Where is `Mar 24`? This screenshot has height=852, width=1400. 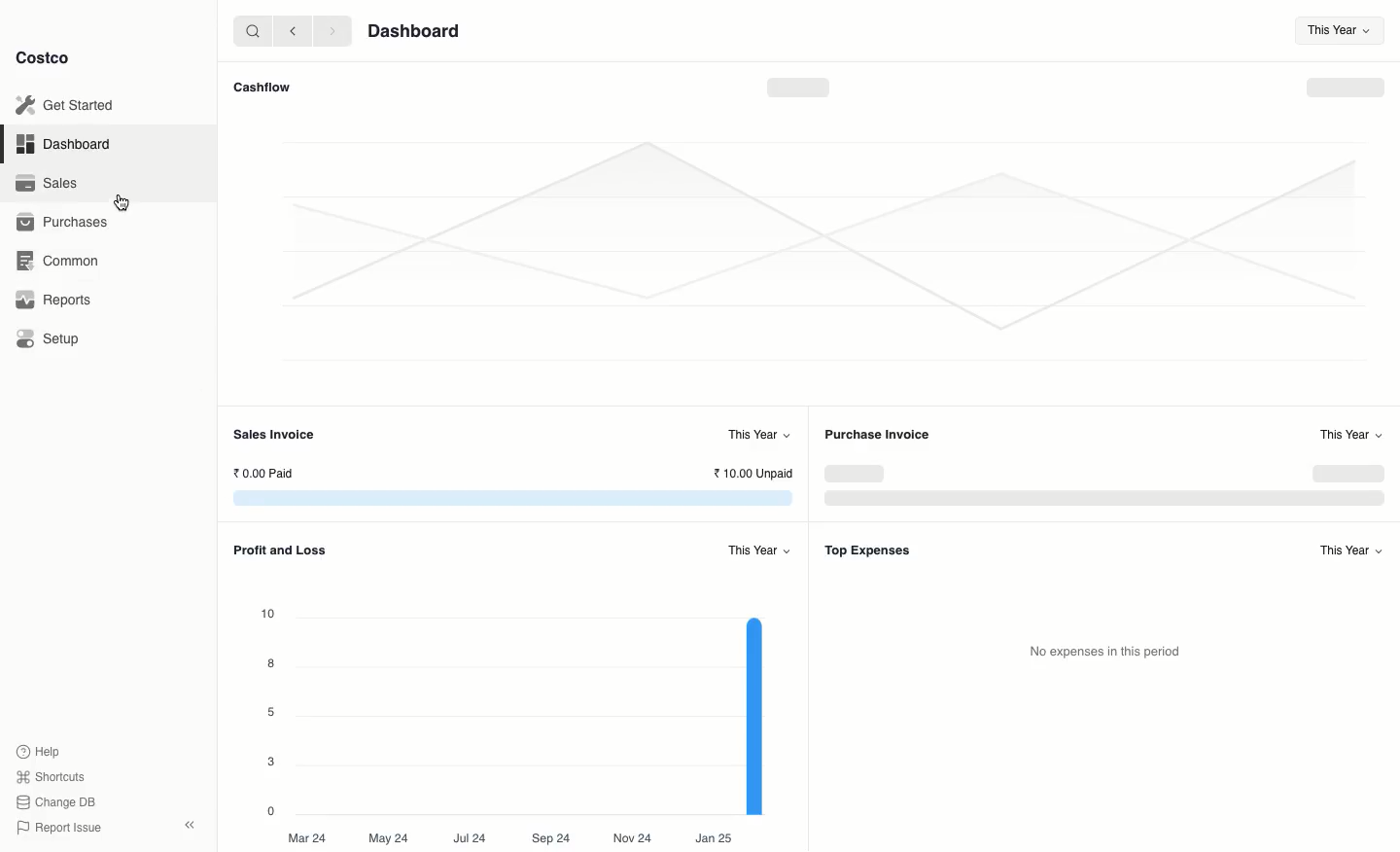 Mar 24 is located at coordinates (308, 837).